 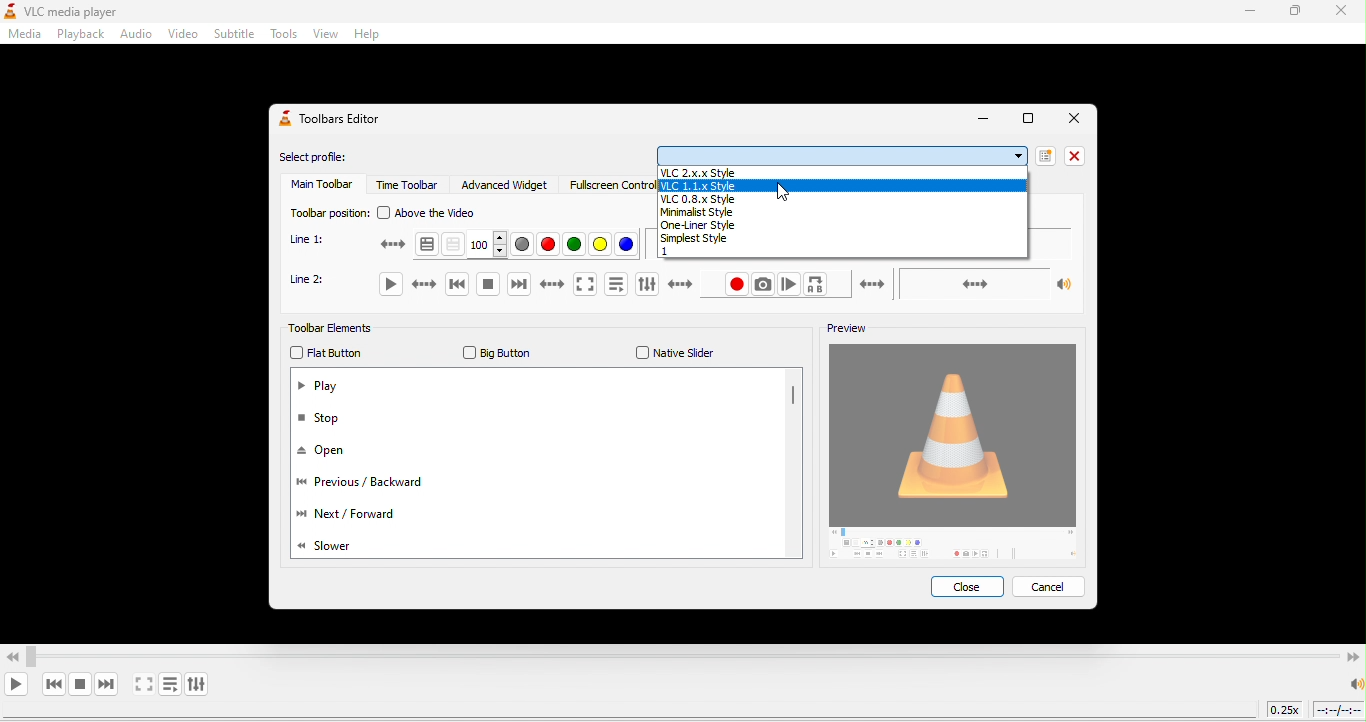 I want to click on next/forward, so click(x=345, y=514).